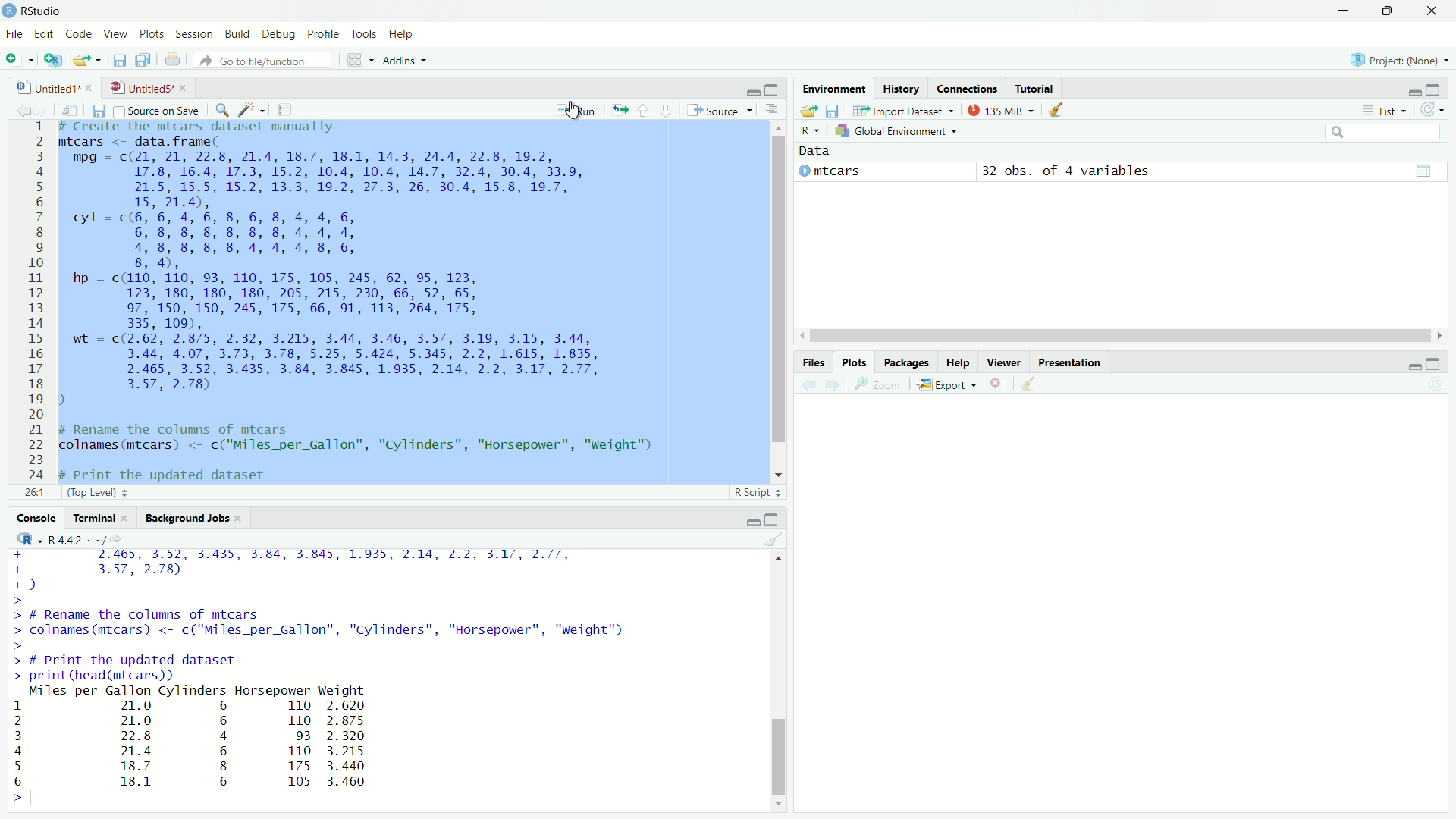  What do you see at coordinates (753, 90) in the screenshot?
I see `minimise` at bounding box center [753, 90].